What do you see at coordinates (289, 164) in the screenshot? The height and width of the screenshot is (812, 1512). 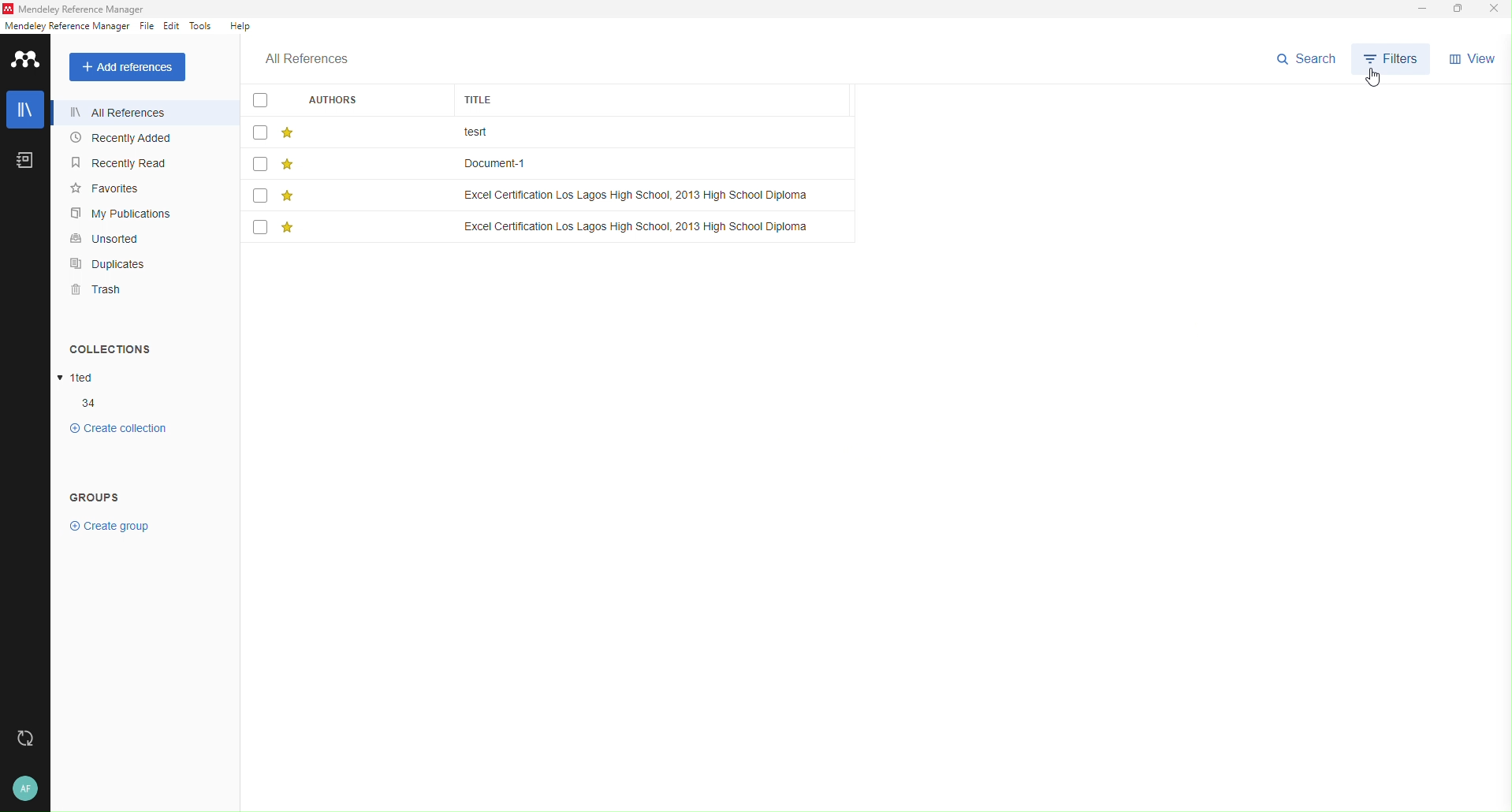 I see `star` at bounding box center [289, 164].